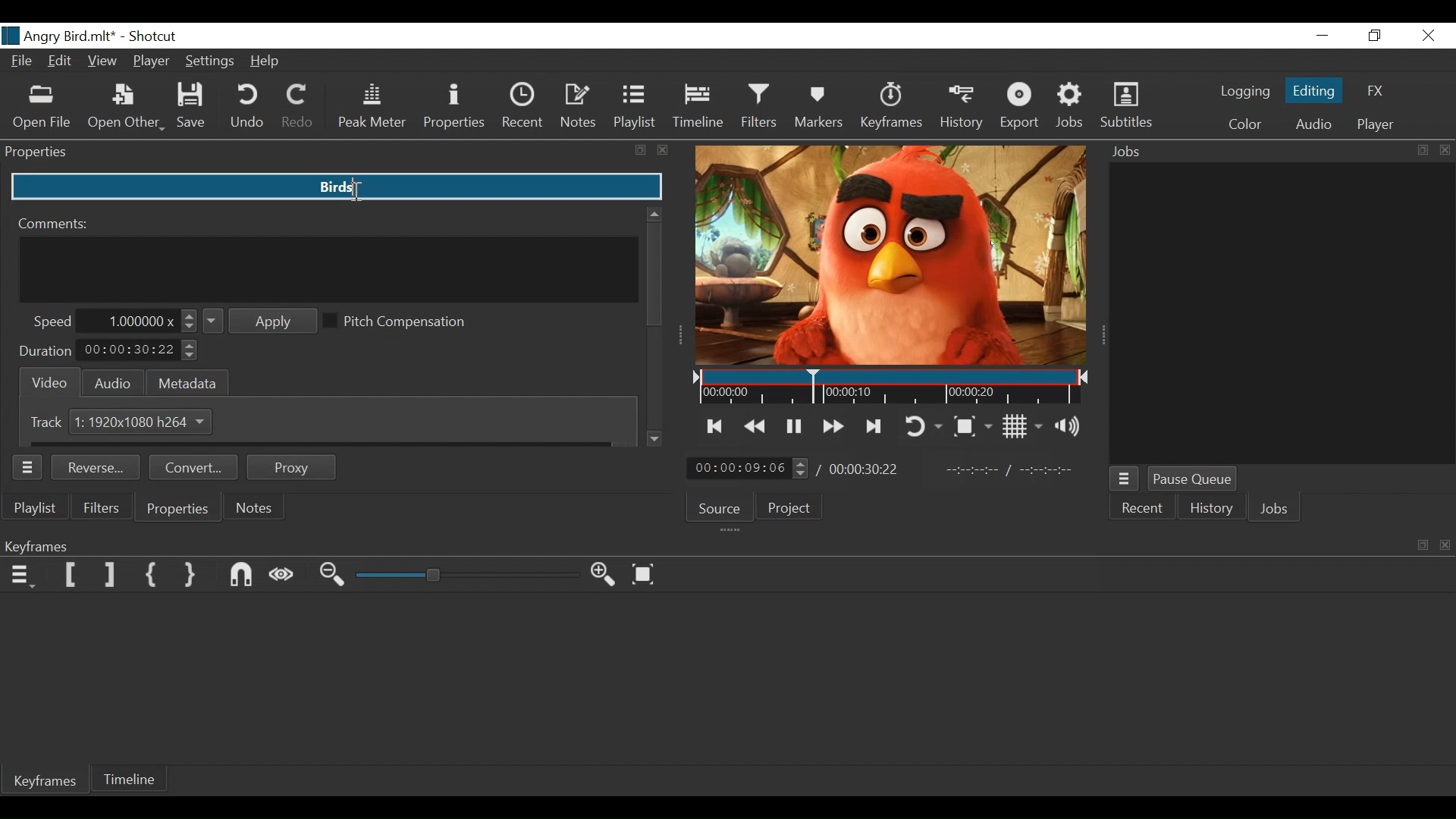 The height and width of the screenshot is (819, 1456). Describe the element at coordinates (1072, 108) in the screenshot. I see `Jobs` at that location.